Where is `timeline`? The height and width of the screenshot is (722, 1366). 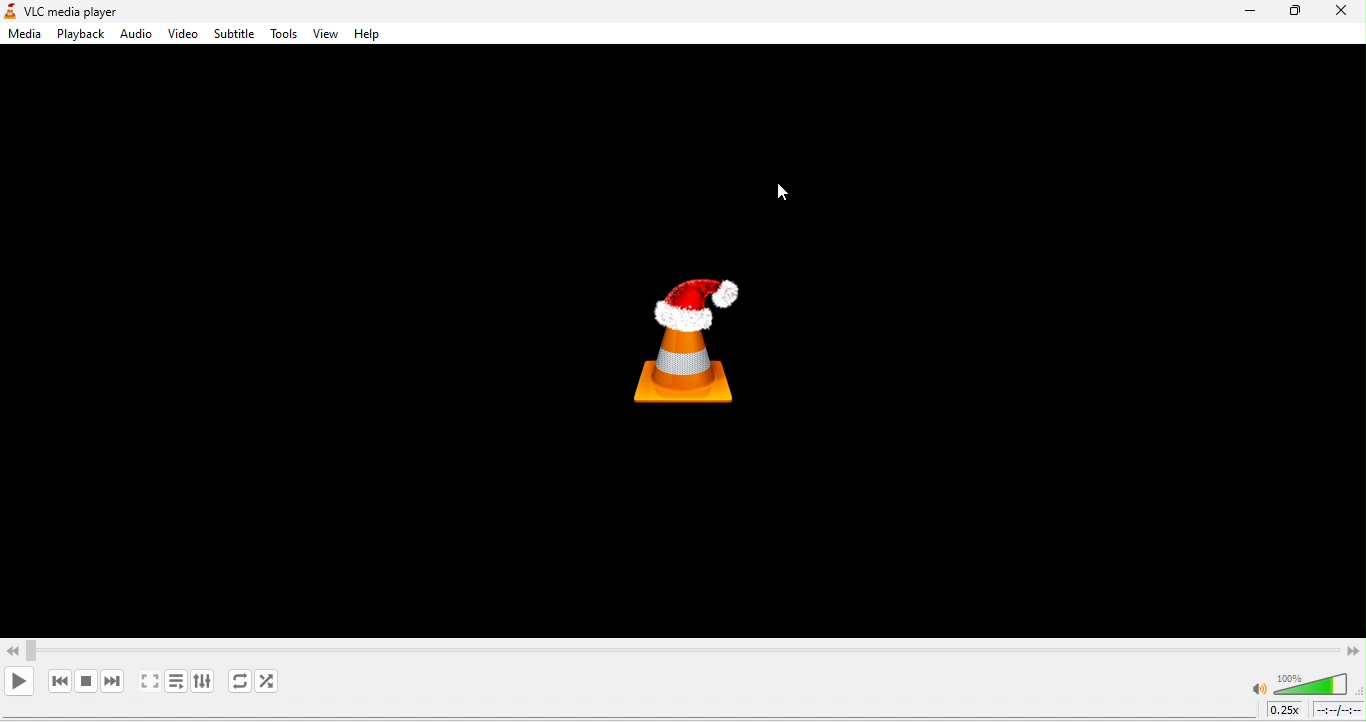
timeline is located at coordinates (1339, 710).